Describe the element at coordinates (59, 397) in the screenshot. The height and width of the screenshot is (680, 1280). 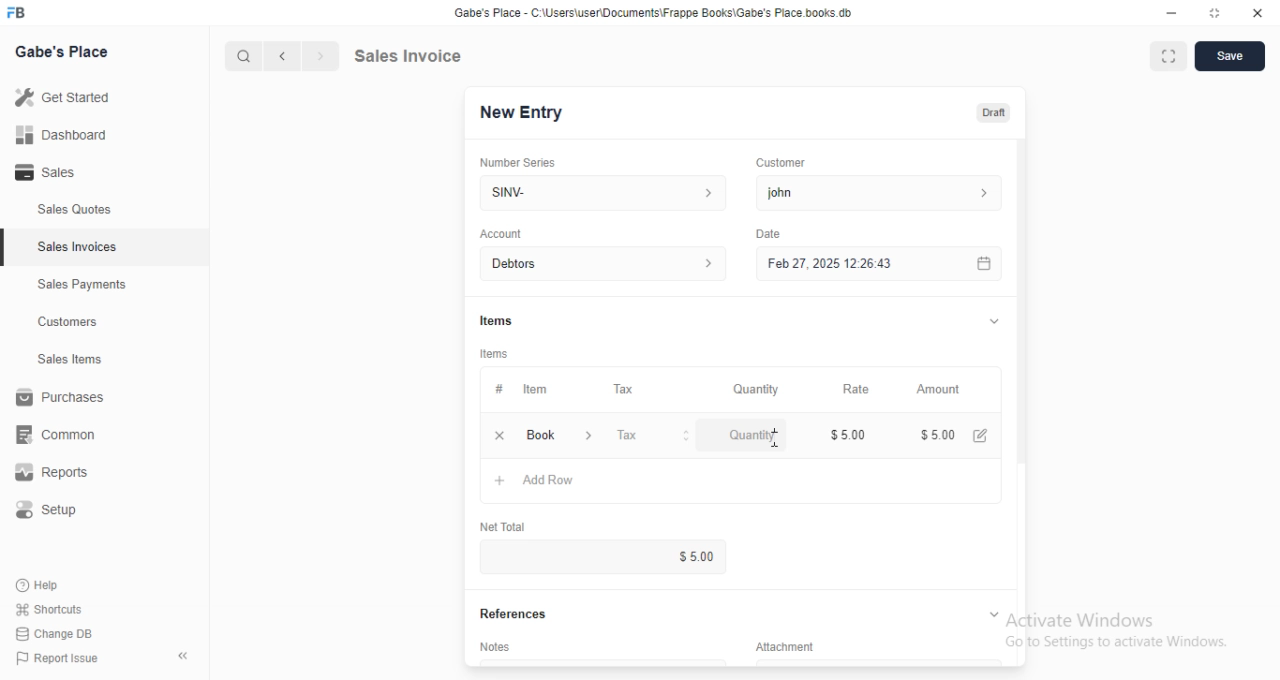
I see `Purchases` at that location.